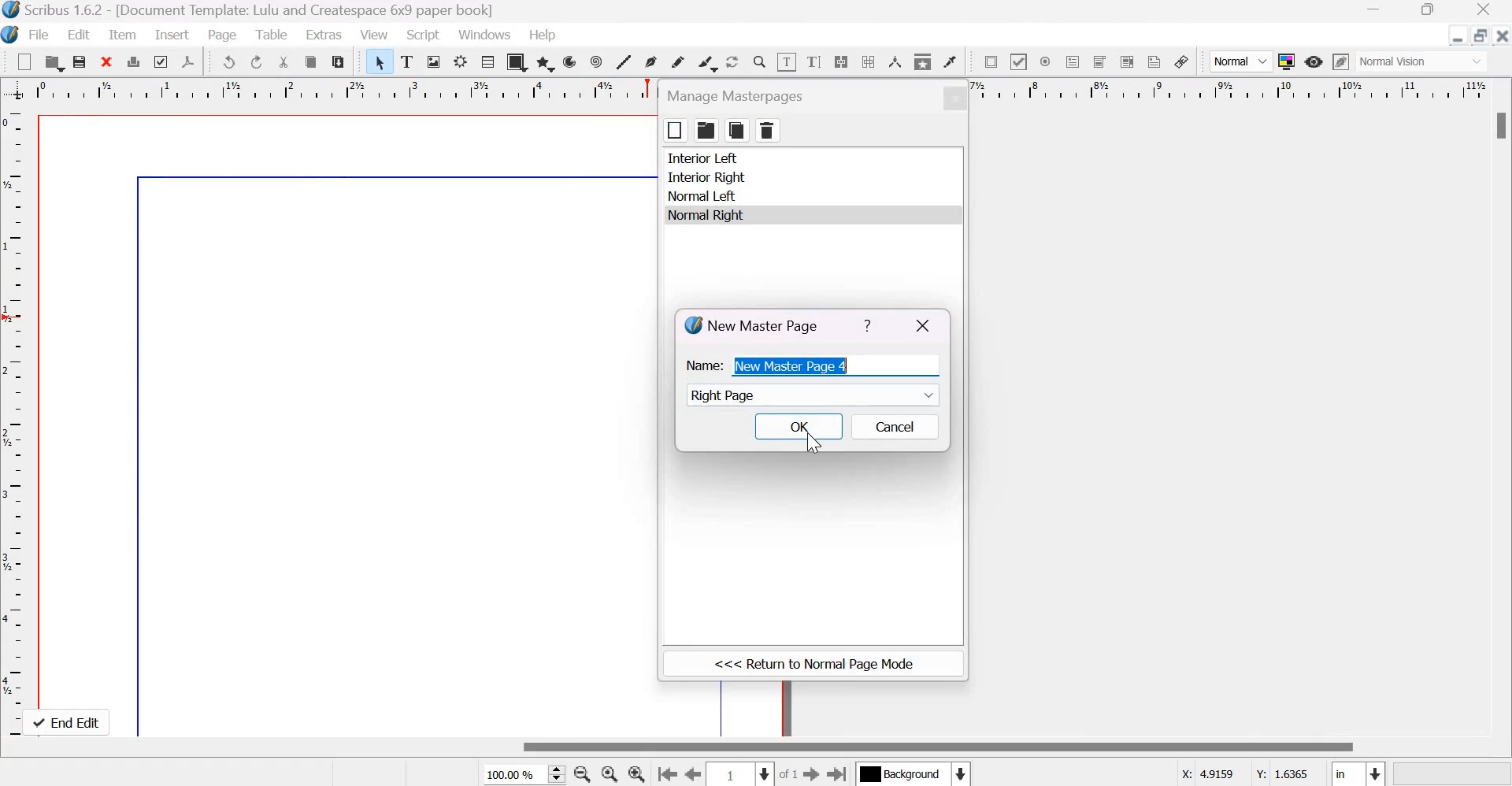 This screenshot has height=786, width=1512. I want to click on Unlink text frames, so click(868, 61).